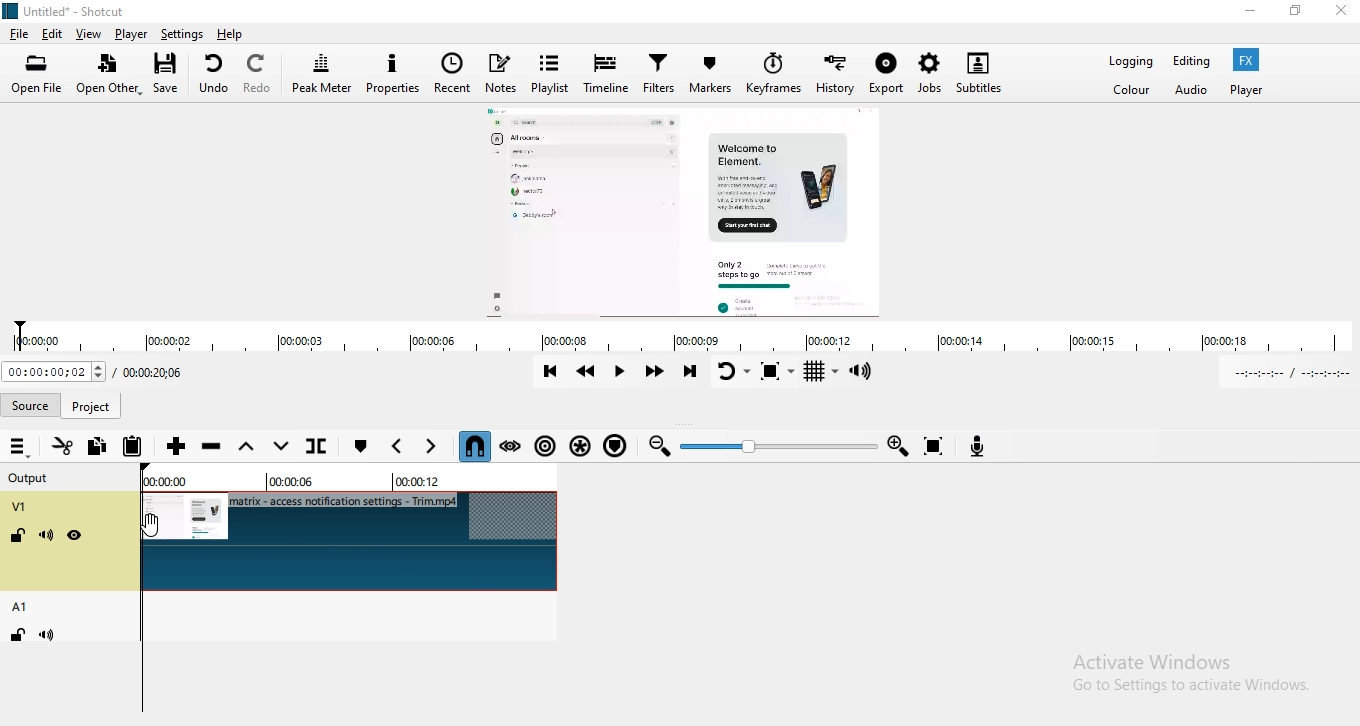 This screenshot has width=1360, height=726. What do you see at coordinates (327, 76) in the screenshot?
I see `Peak meter` at bounding box center [327, 76].